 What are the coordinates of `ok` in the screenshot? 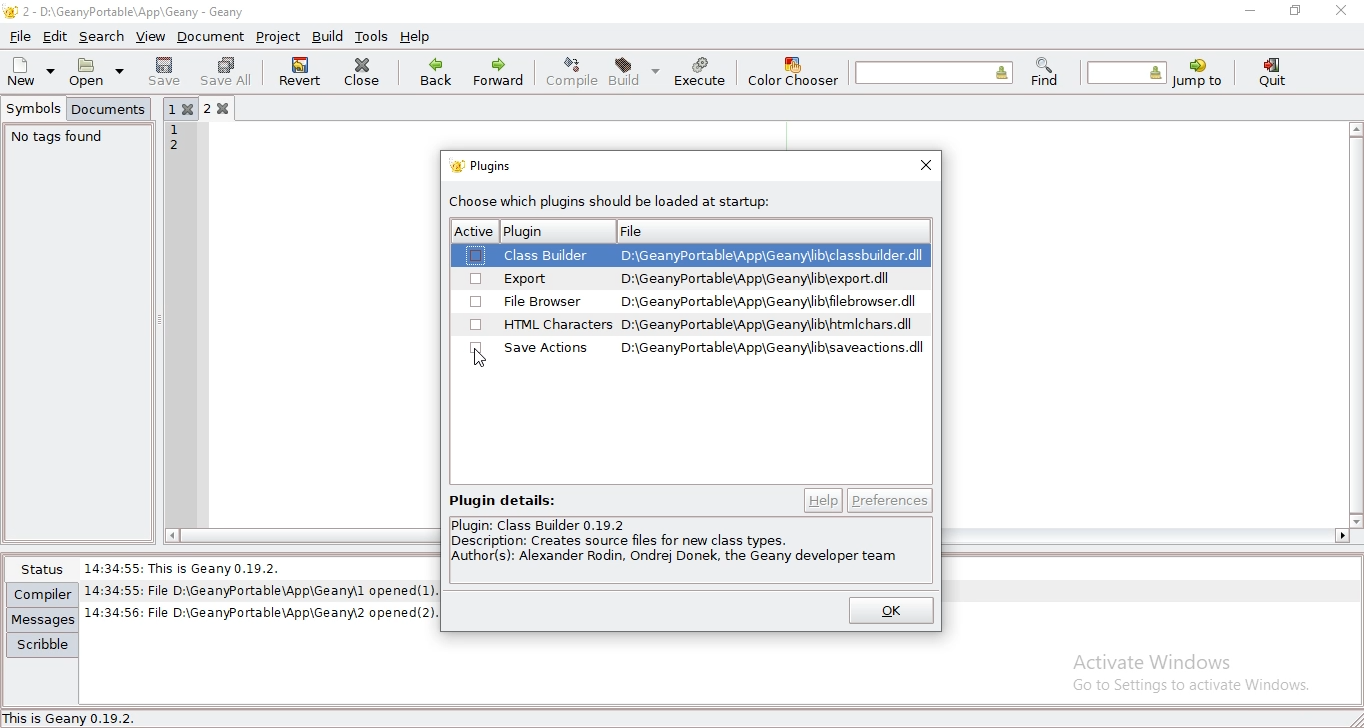 It's located at (890, 613).